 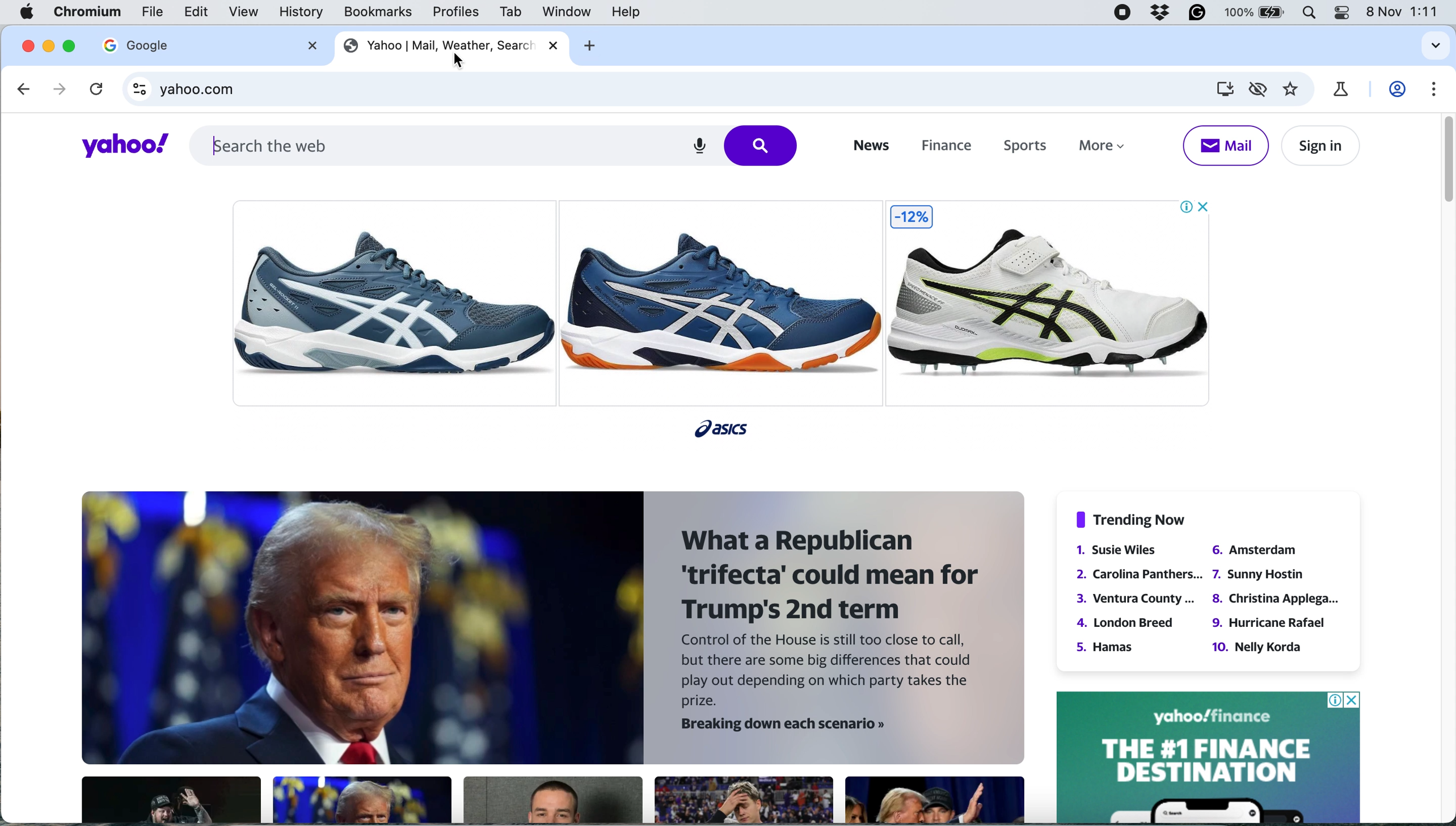 I want to click on close, so click(x=307, y=47).